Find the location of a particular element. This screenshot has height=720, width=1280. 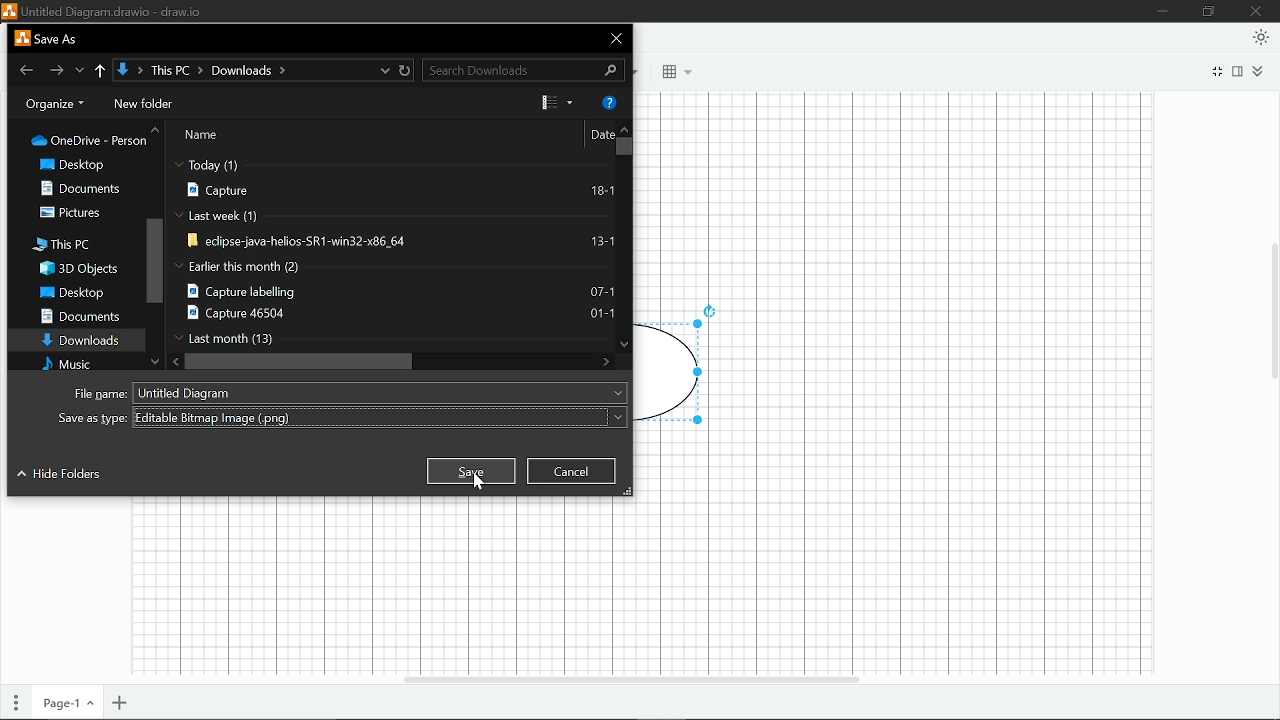

Full screen is located at coordinates (1216, 71).